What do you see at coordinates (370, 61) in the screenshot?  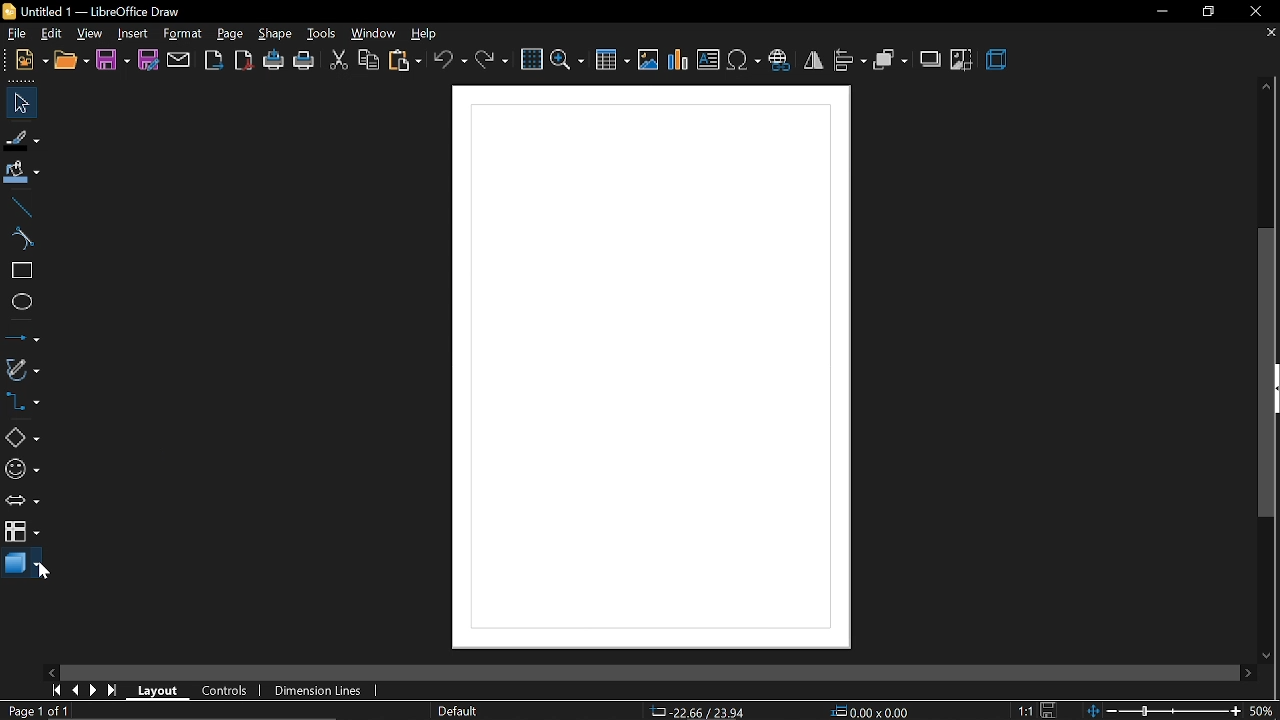 I see `copy` at bounding box center [370, 61].